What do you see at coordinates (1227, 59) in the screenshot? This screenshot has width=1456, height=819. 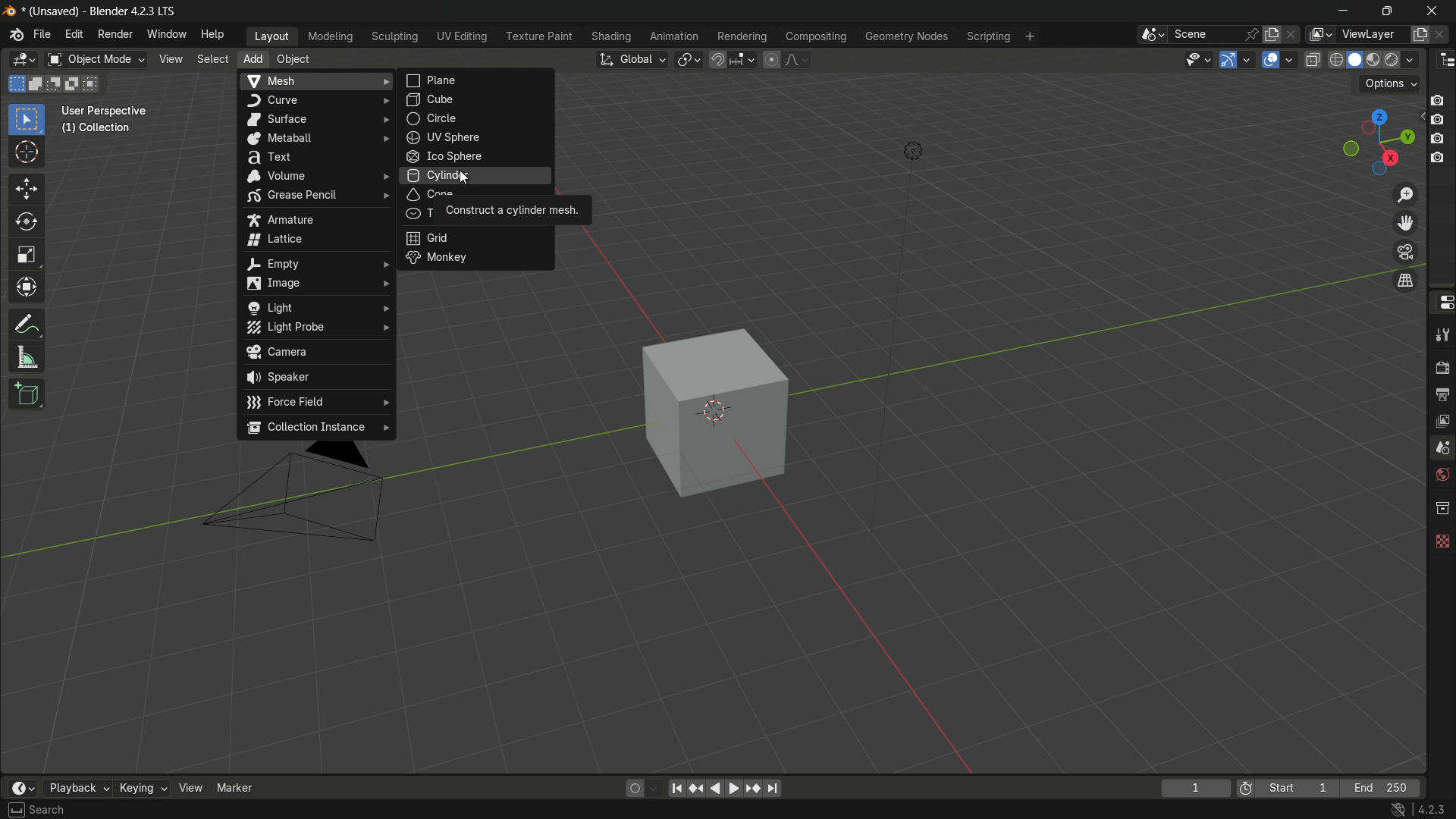 I see `show gizmo` at bounding box center [1227, 59].